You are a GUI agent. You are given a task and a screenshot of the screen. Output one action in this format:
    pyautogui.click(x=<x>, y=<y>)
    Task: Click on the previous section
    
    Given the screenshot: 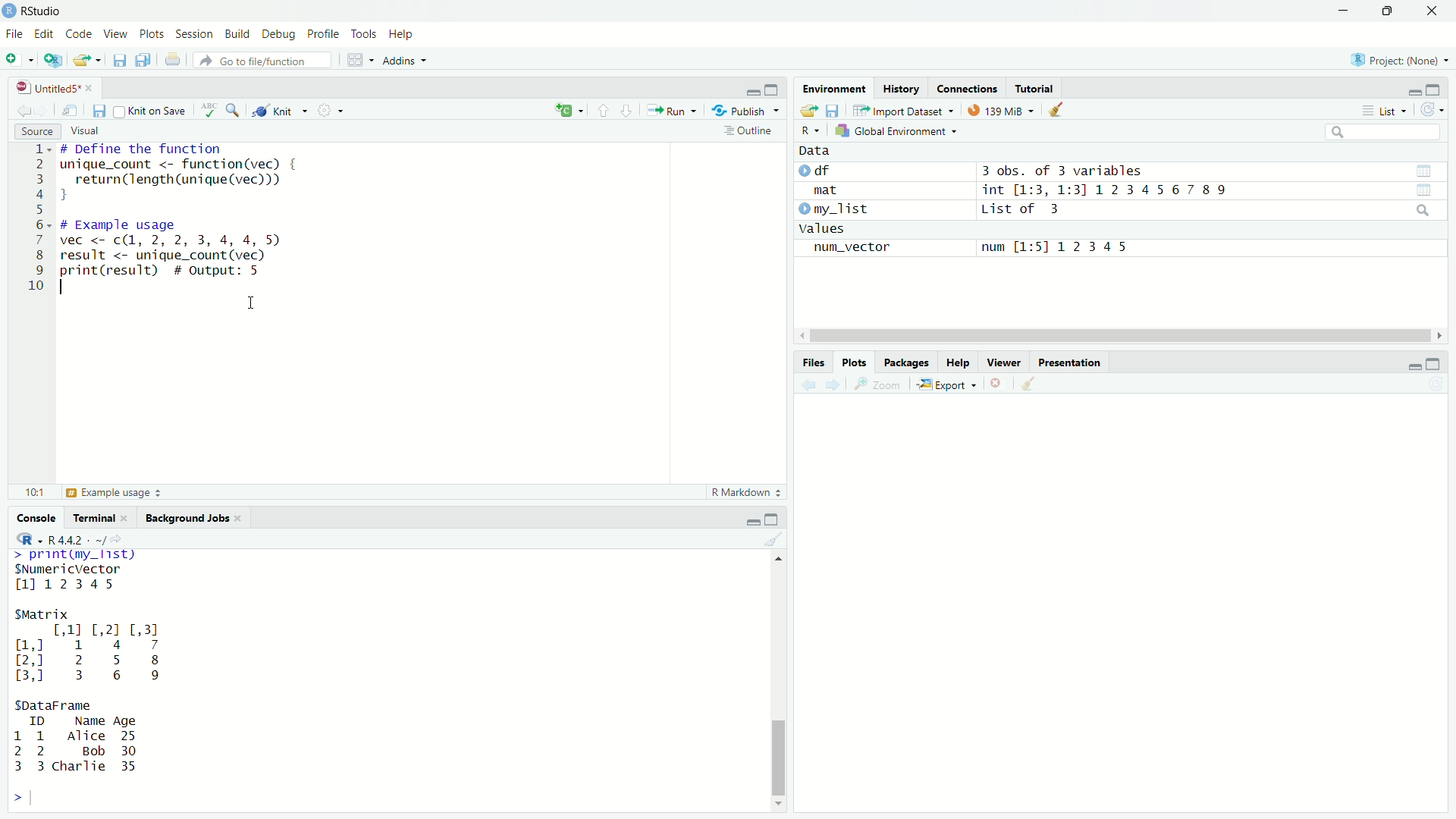 What is the action you would take?
    pyautogui.click(x=603, y=111)
    